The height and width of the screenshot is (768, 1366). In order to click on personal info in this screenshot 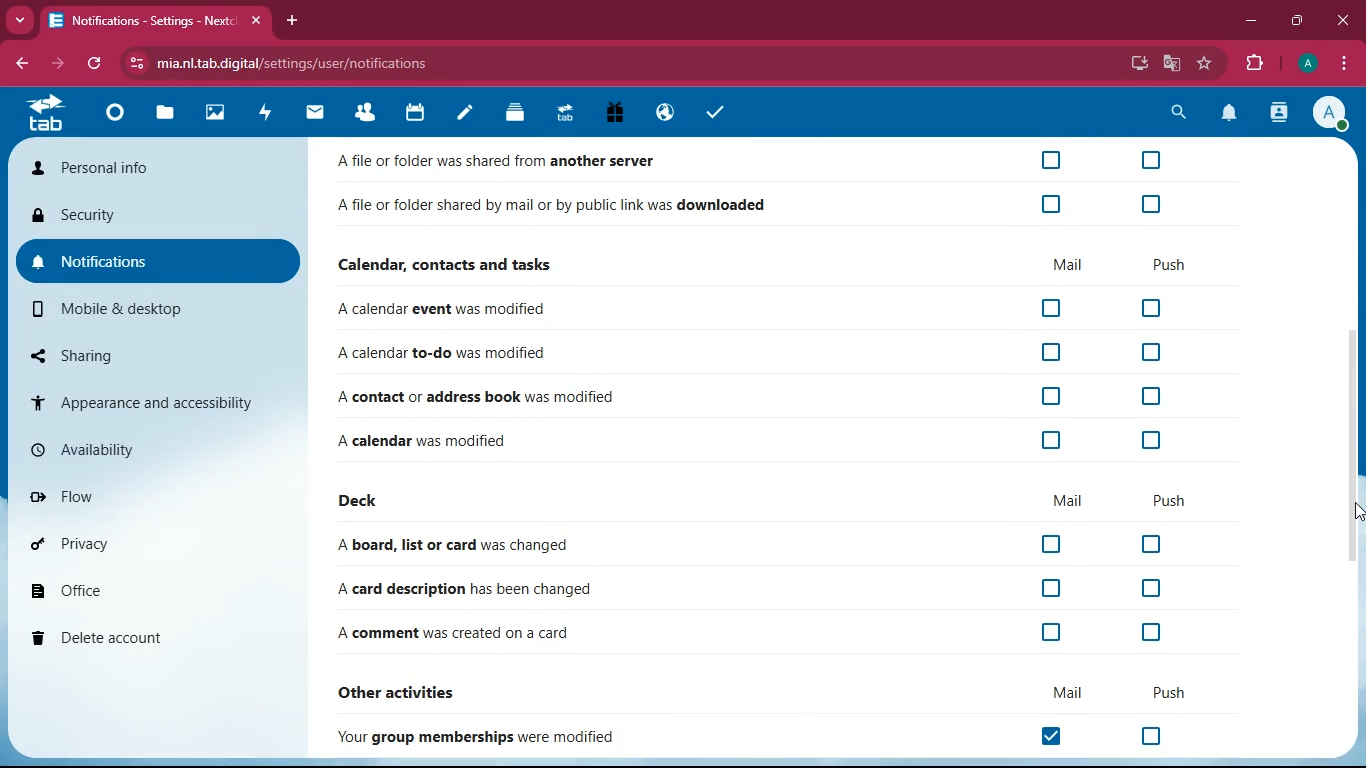, I will do `click(153, 170)`.